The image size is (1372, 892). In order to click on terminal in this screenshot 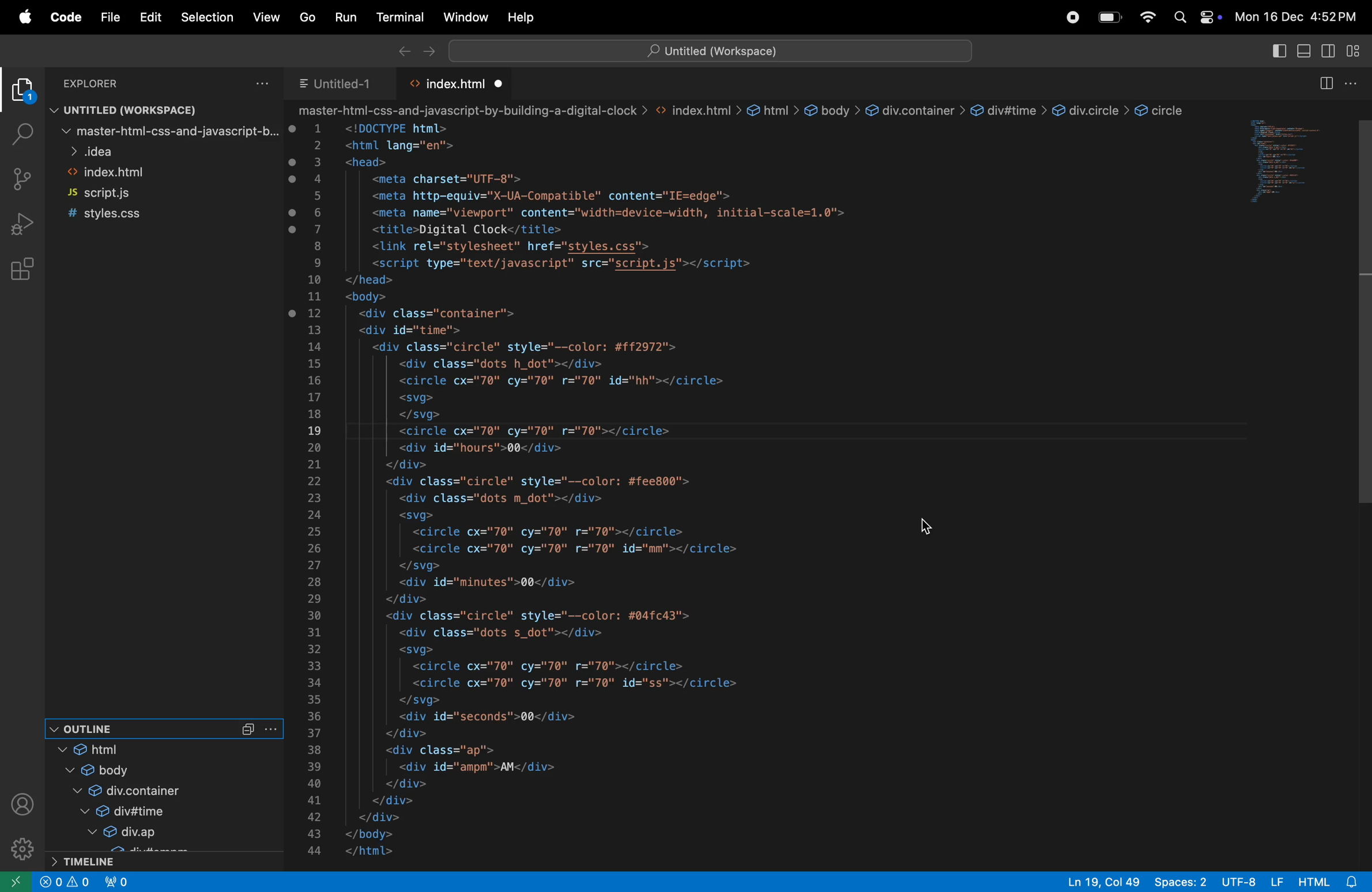, I will do `click(395, 17)`.